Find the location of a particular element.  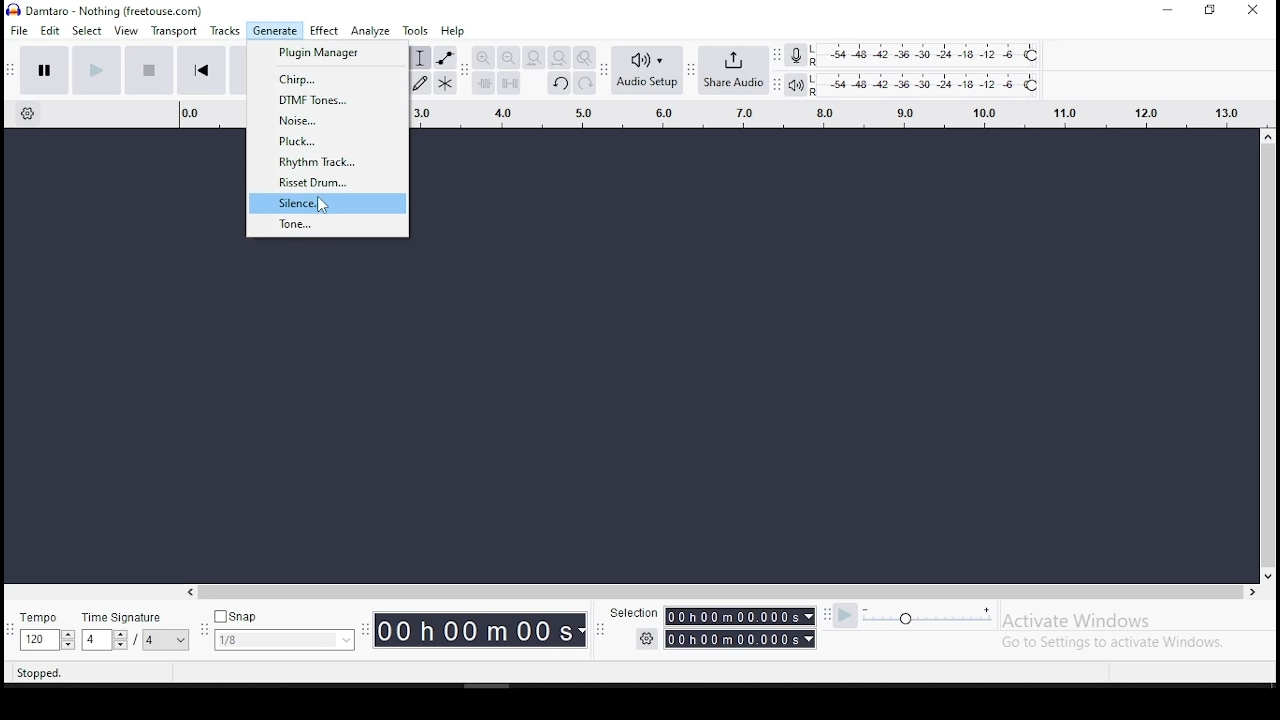

tone is located at coordinates (327, 226).